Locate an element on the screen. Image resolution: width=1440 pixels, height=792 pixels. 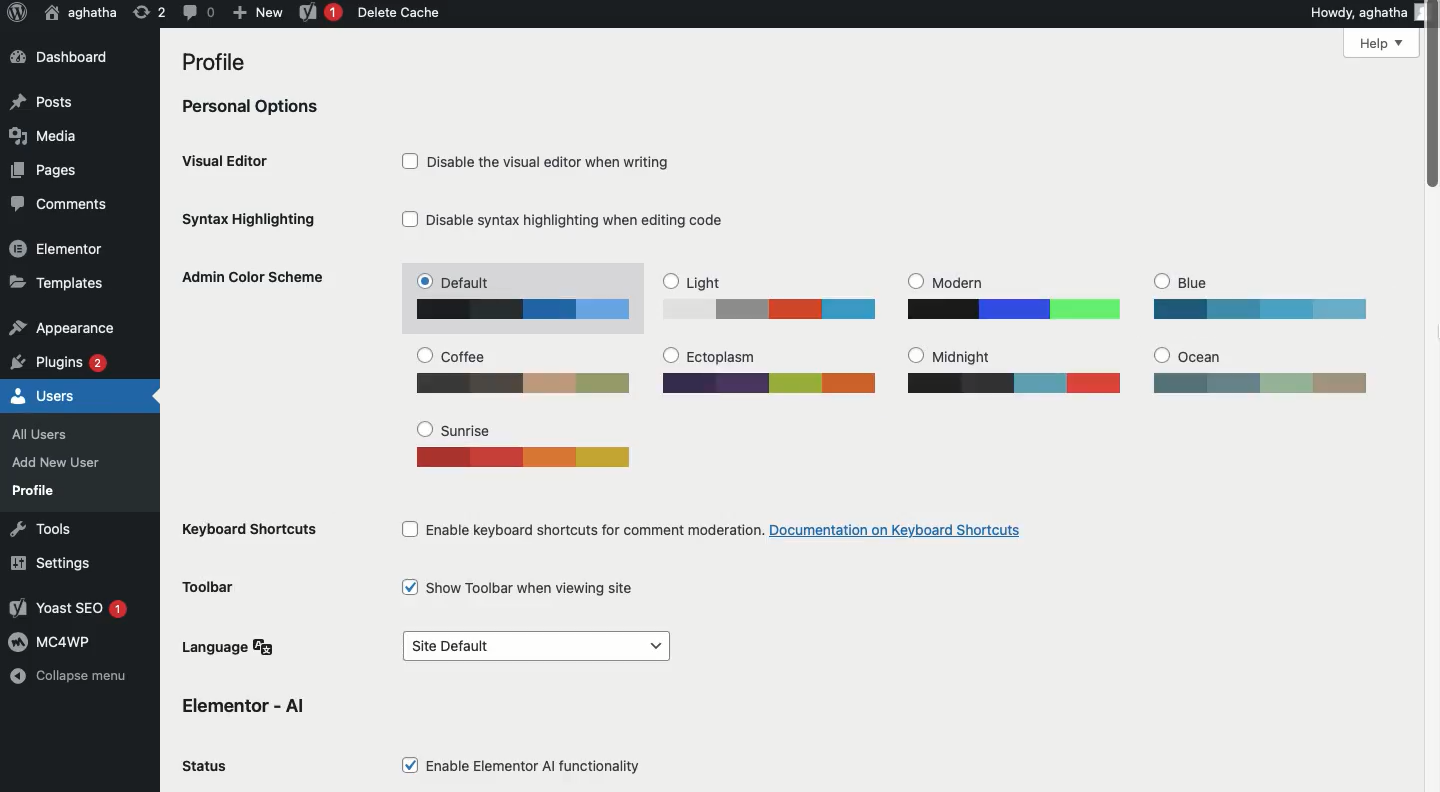
Modern is located at coordinates (1015, 296).